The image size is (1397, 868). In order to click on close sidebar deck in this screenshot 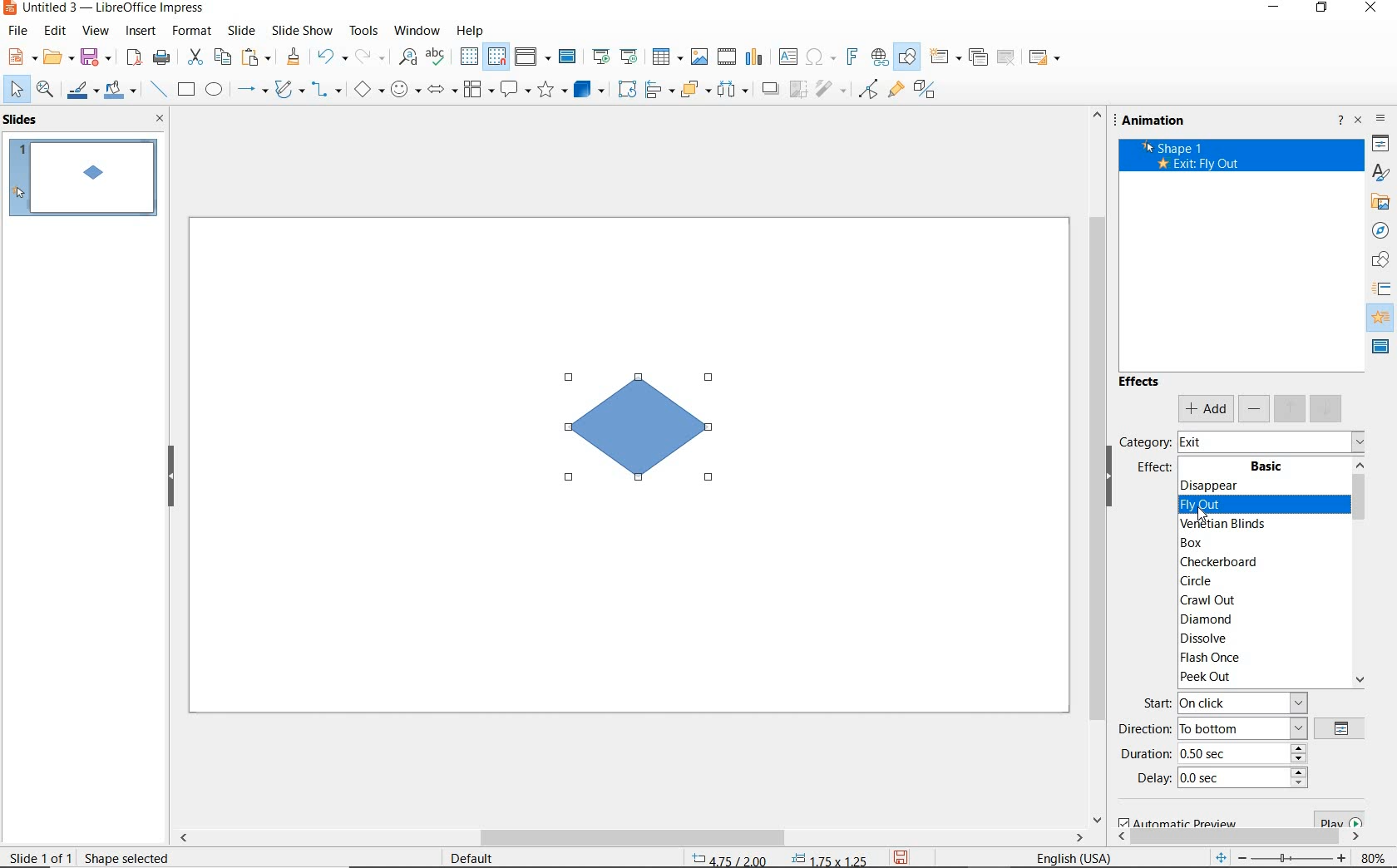, I will do `click(1359, 123)`.